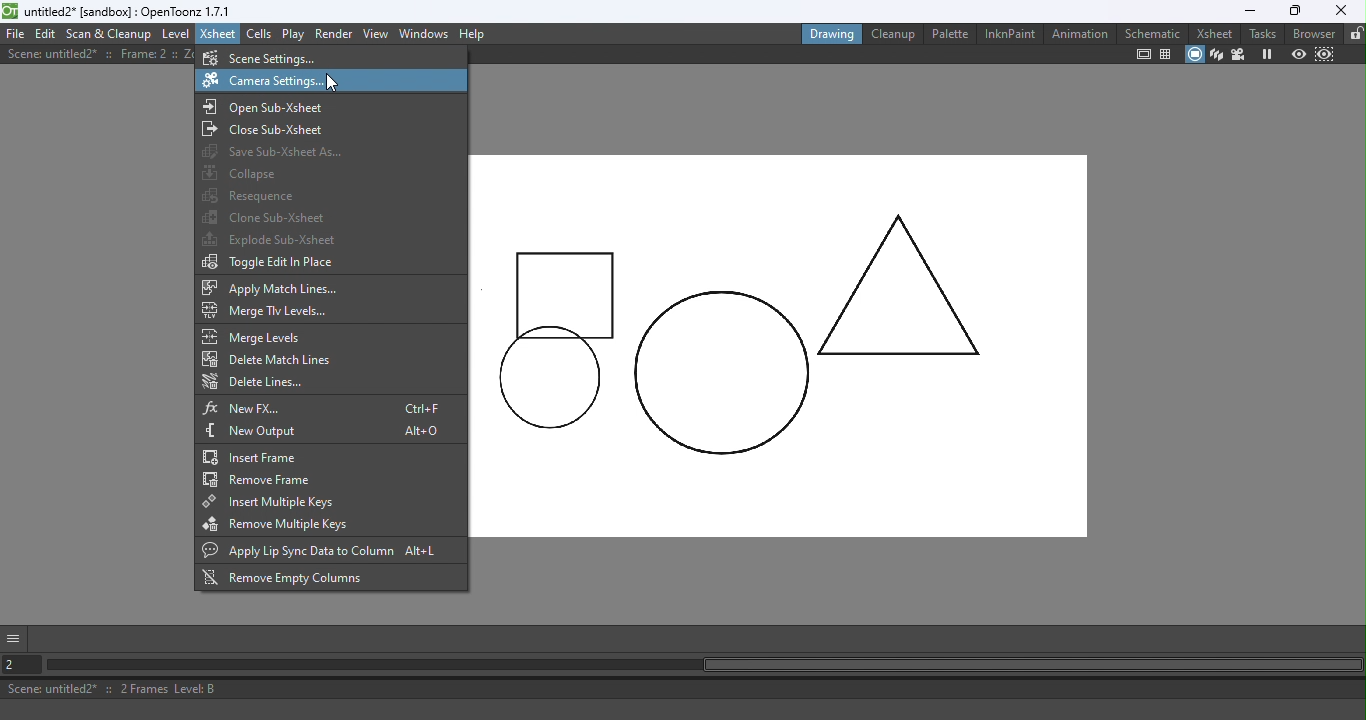  I want to click on Close, so click(1341, 11).